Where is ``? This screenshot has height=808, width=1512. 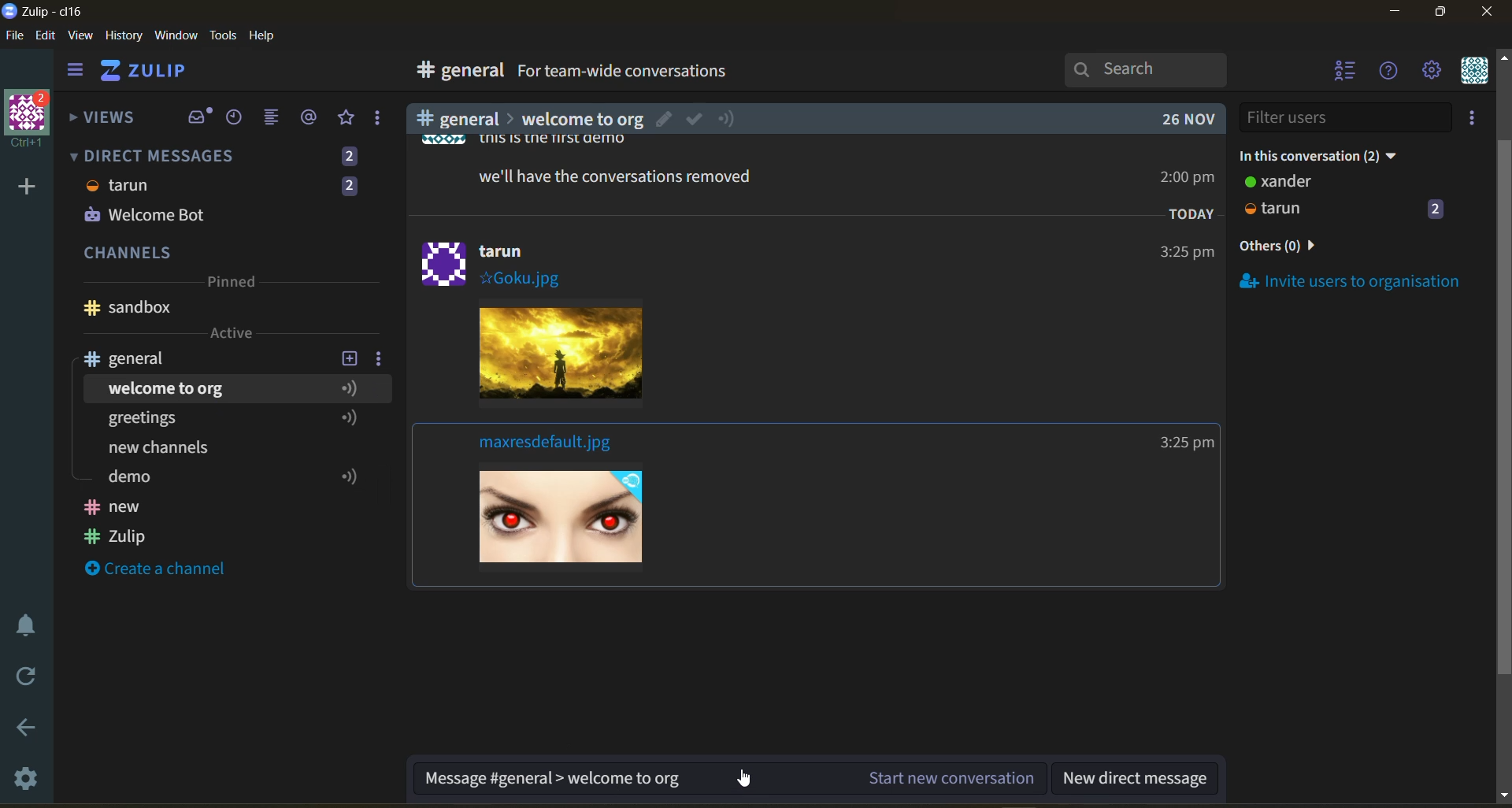  is located at coordinates (224, 202).